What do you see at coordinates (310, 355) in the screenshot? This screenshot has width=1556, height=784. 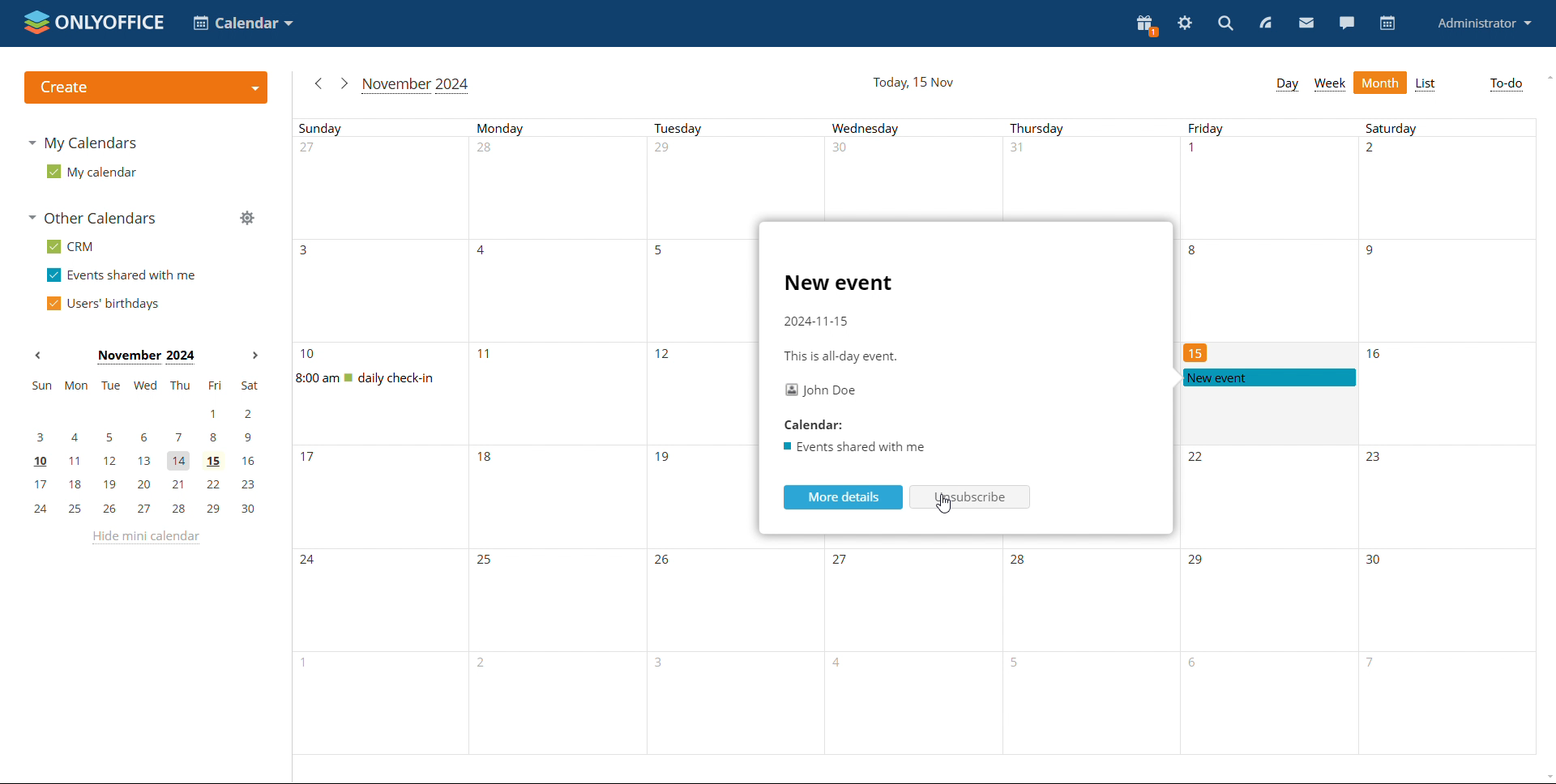 I see `Number` at bounding box center [310, 355].